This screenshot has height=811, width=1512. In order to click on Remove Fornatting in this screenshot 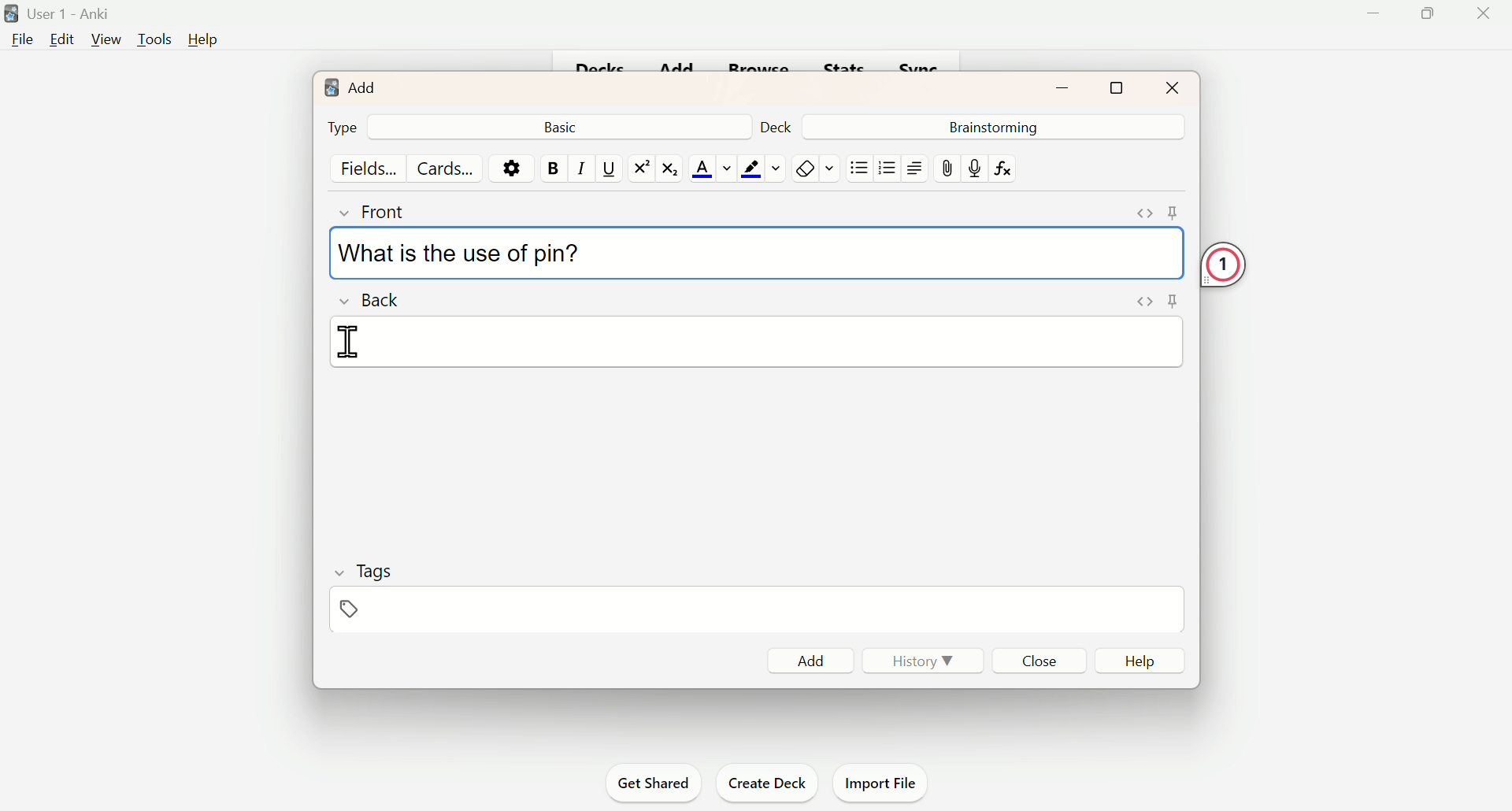, I will do `click(803, 168)`.